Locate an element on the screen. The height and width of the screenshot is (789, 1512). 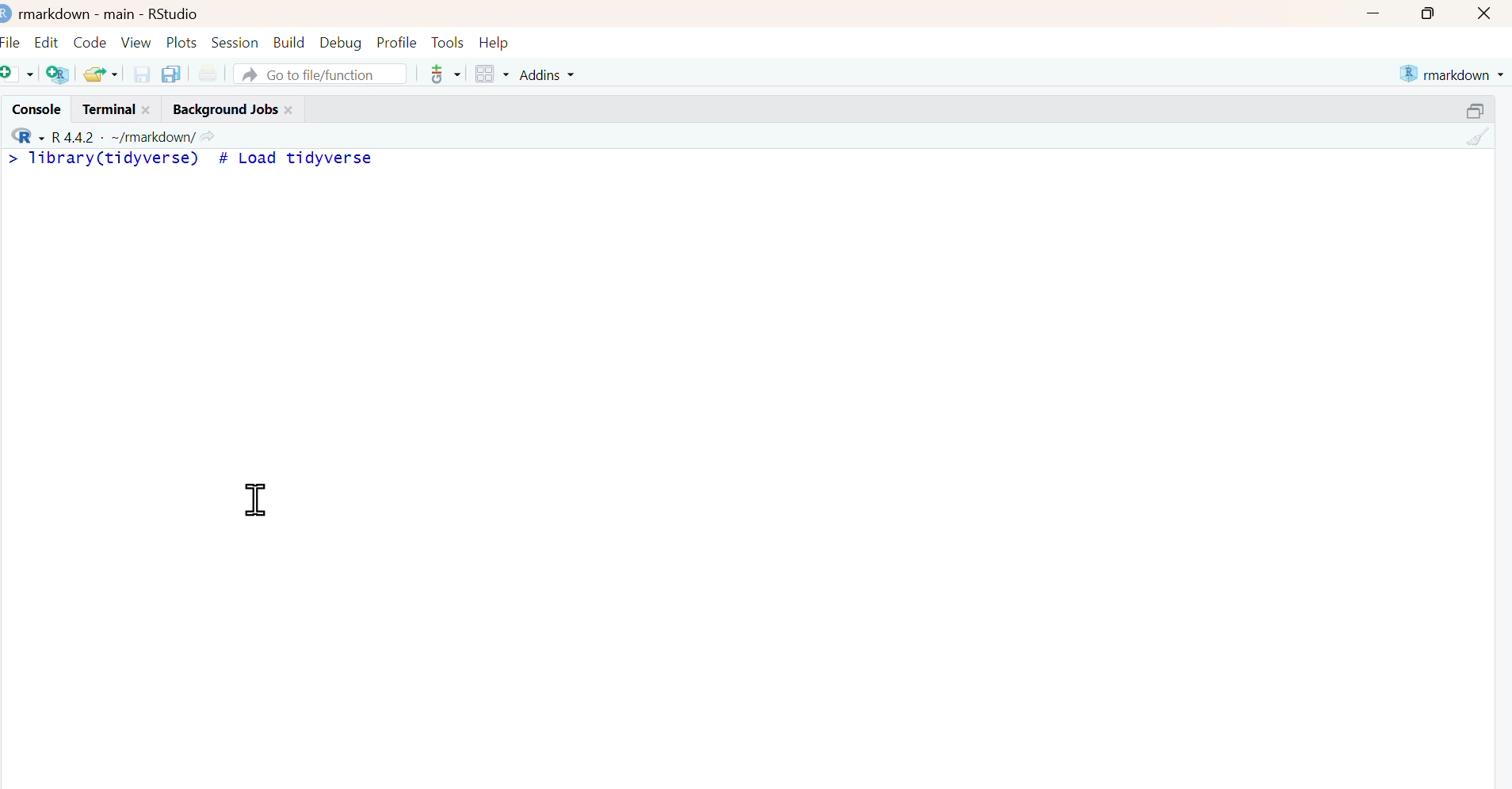
minimize is located at coordinates (1373, 13).